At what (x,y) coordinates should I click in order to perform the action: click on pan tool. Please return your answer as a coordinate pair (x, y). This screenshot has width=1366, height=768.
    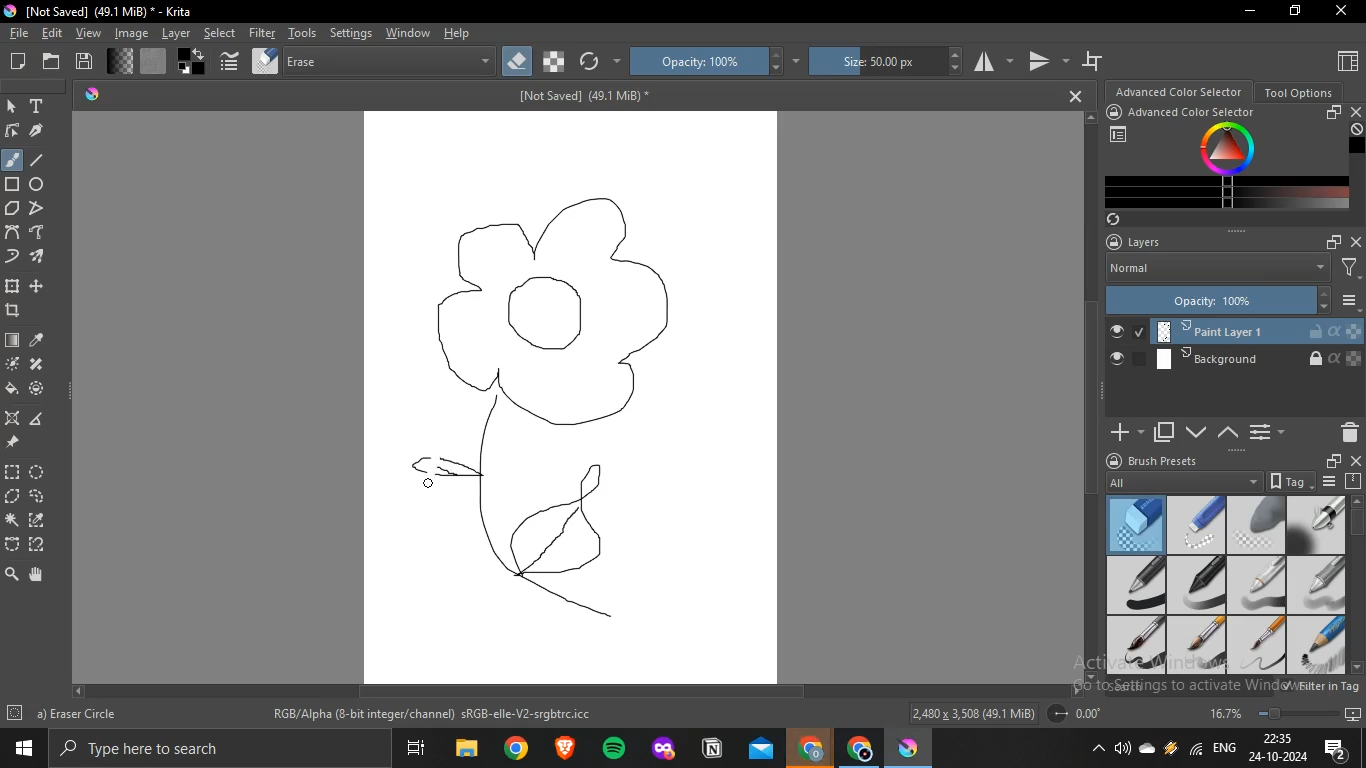
    Looking at the image, I should click on (37, 573).